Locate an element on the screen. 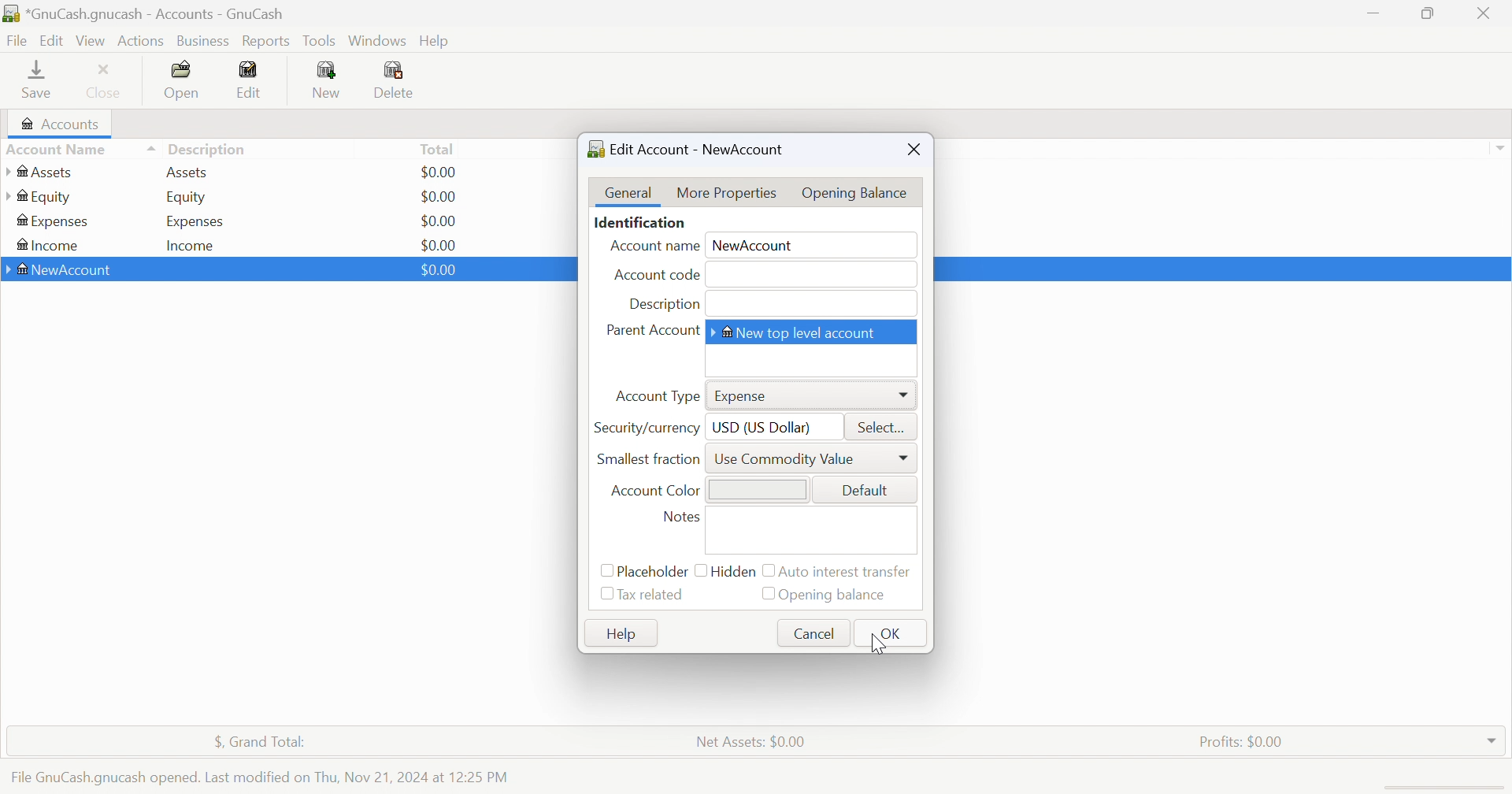 Image resolution: width=1512 pixels, height=794 pixels. Open is located at coordinates (183, 80).